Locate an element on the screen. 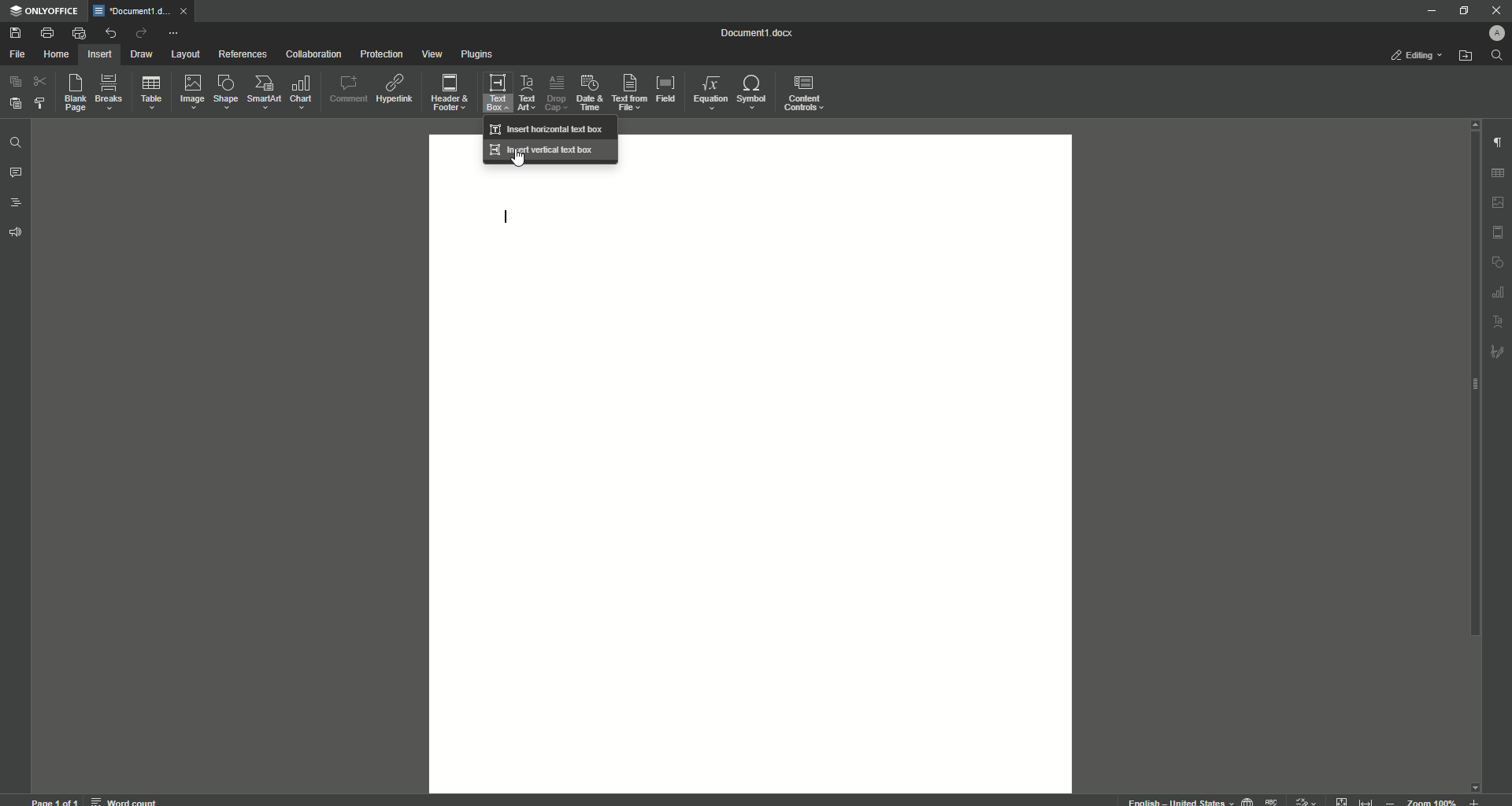 This screenshot has height=806, width=1512. page 1 of 1 is located at coordinates (55, 800).